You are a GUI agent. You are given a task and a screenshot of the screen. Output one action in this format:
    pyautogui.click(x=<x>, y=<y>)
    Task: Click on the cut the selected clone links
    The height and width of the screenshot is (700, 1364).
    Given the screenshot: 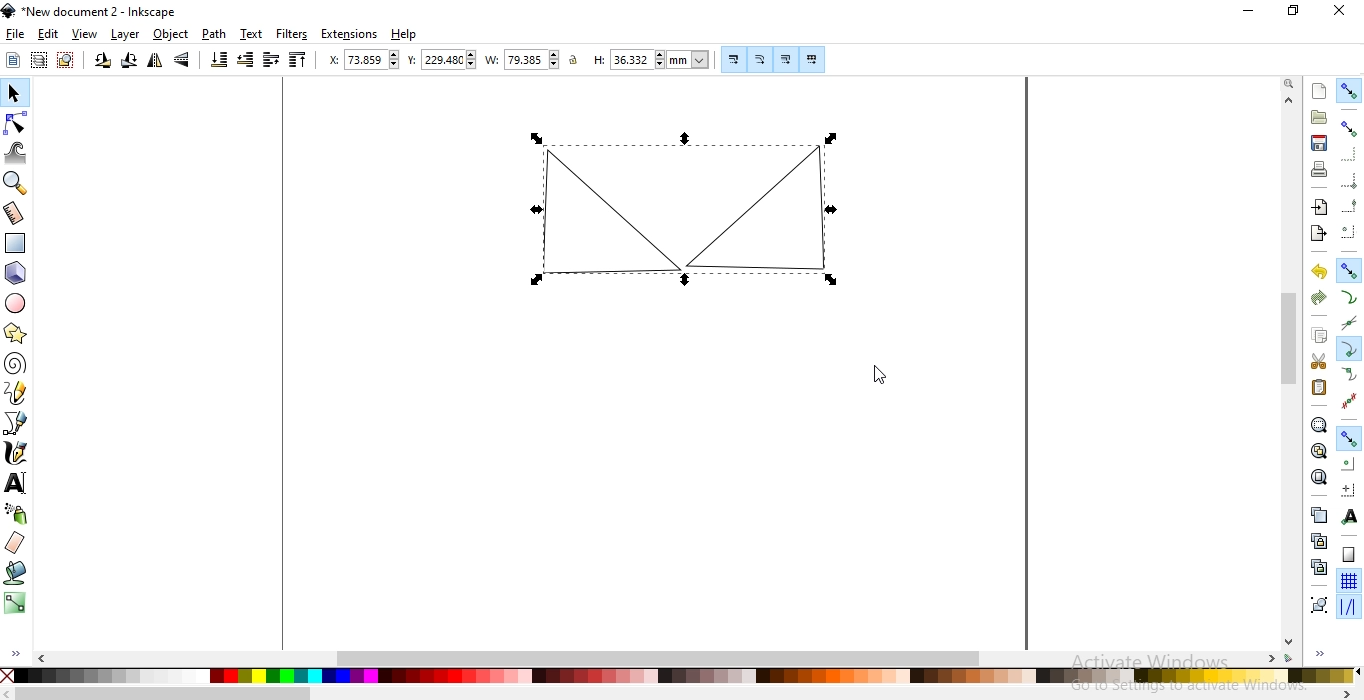 What is the action you would take?
    pyautogui.click(x=1319, y=567)
    